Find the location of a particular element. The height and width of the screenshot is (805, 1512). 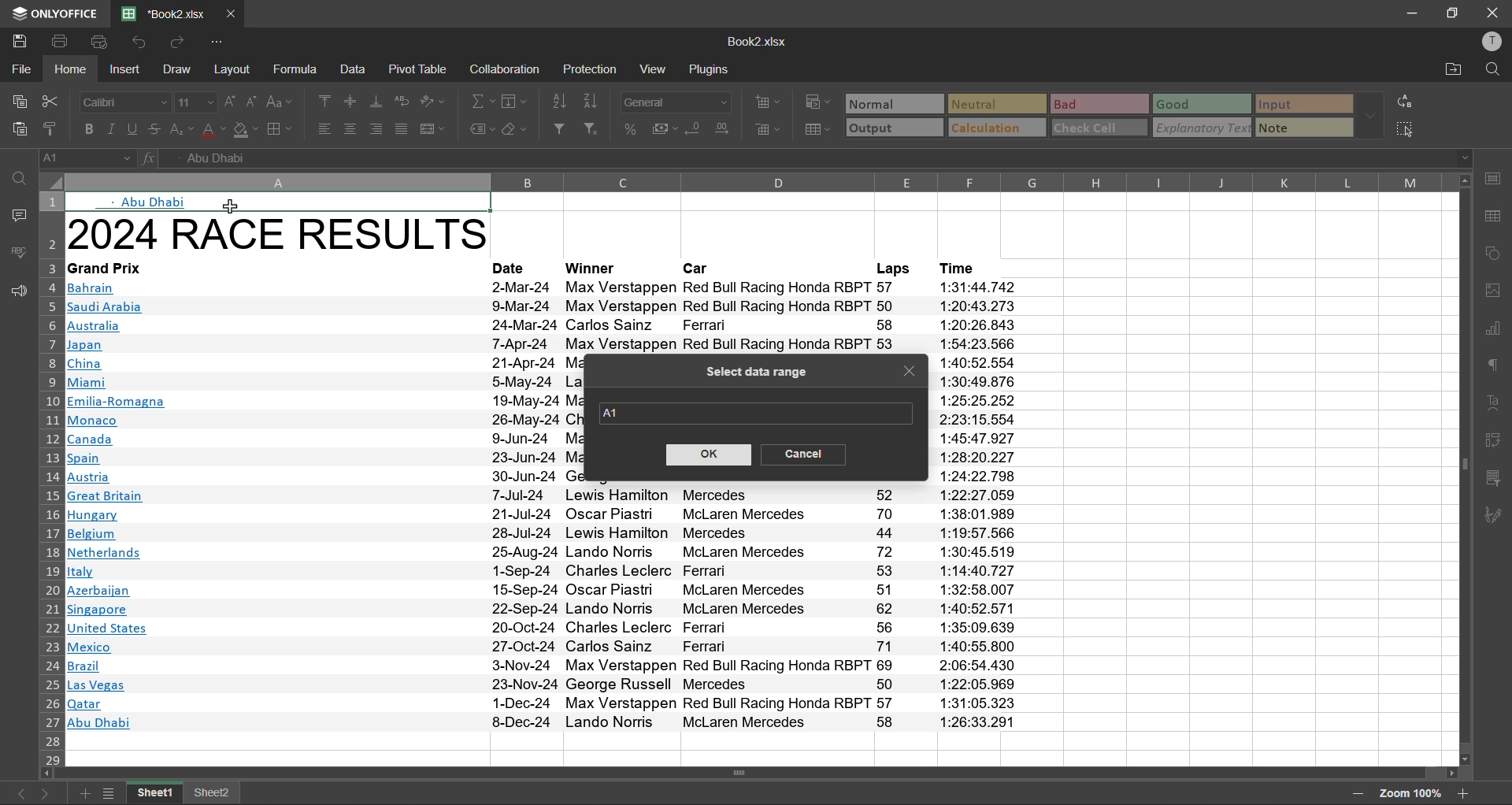

bad is located at coordinates (1073, 101).